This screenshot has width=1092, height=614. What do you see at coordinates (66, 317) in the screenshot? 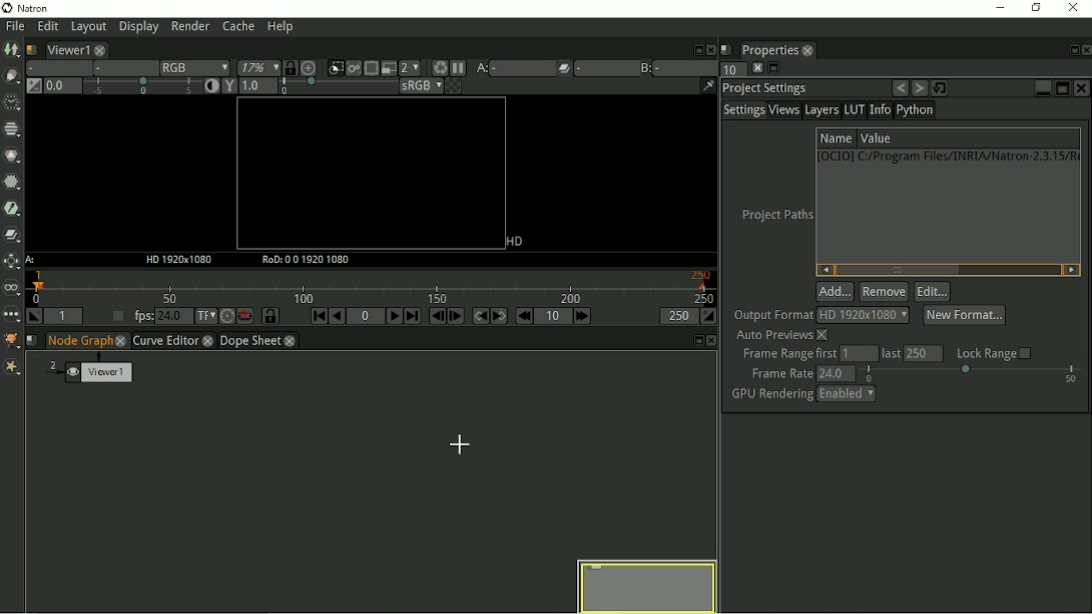
I see `Playback in point` at bounding box center [66, 317].